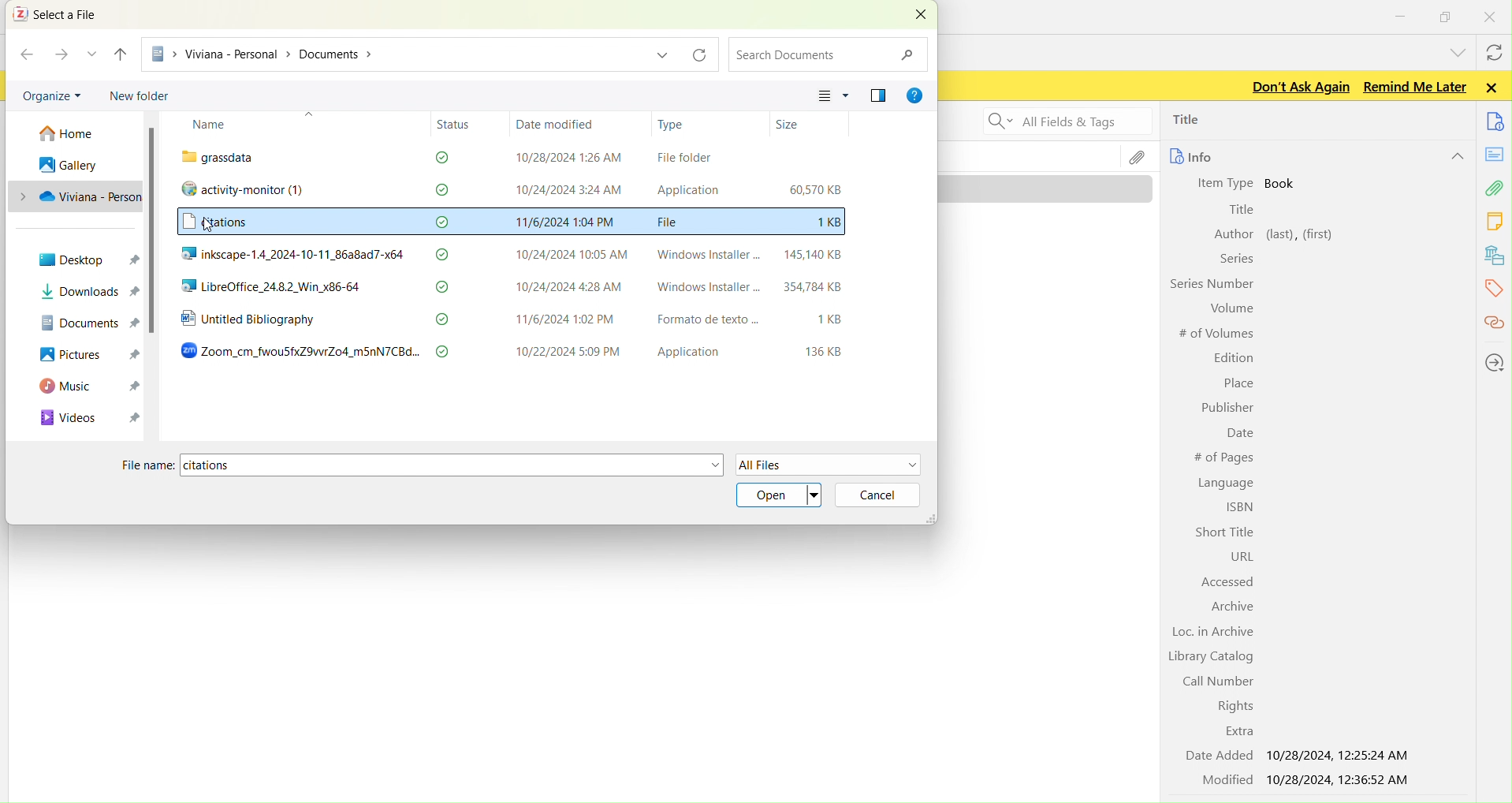  I want to click on new folder, so click(139, 96).